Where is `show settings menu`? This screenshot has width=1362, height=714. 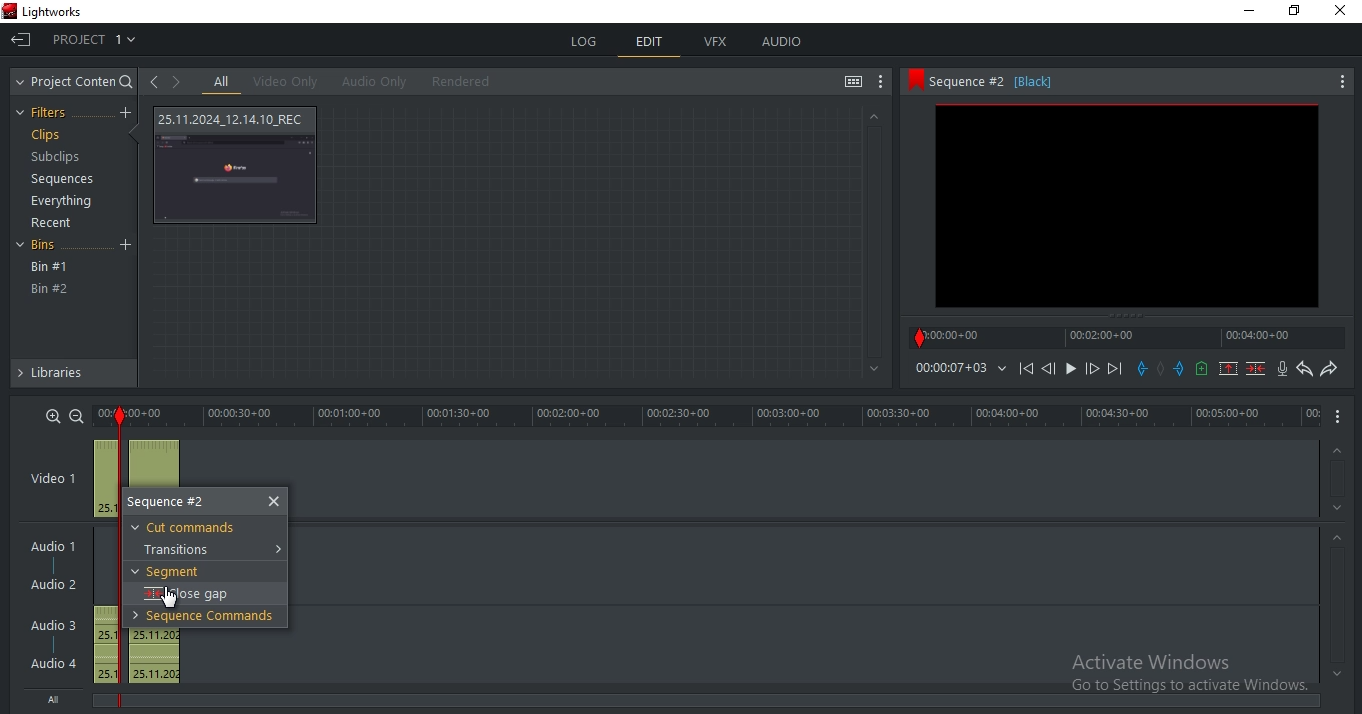 show settings menu is located at coordinates (882, 84).